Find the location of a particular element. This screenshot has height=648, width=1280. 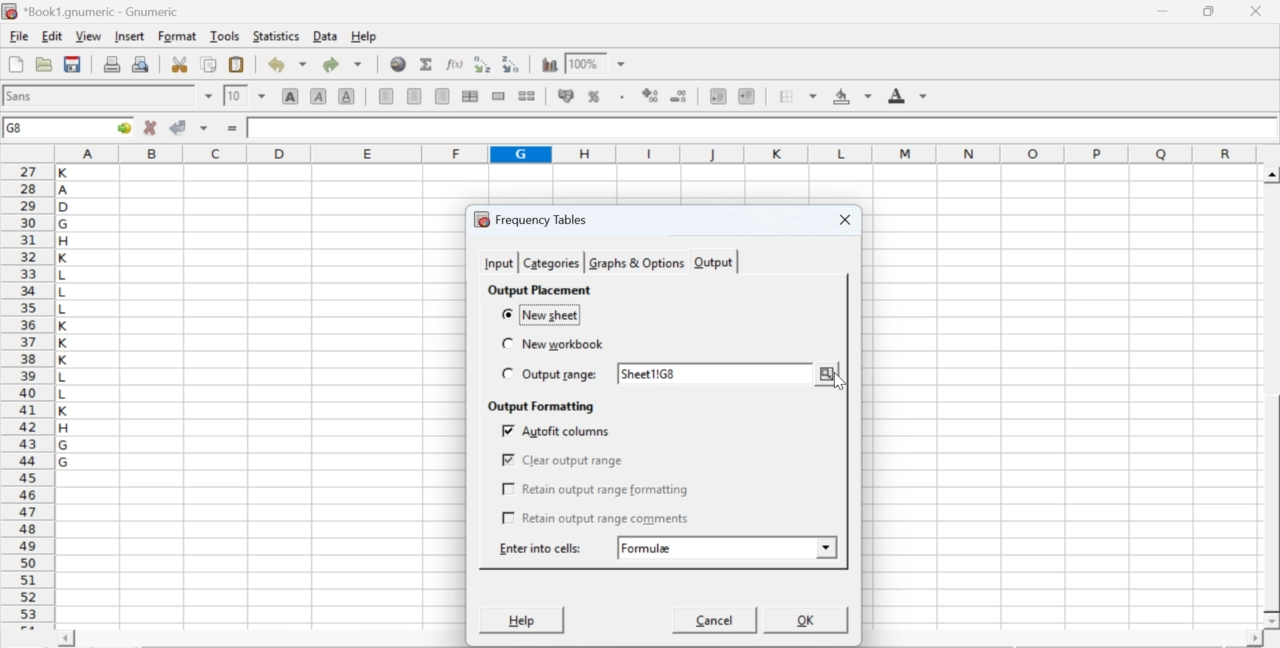

sheet1!G8 is located at coordinates (652, 375).